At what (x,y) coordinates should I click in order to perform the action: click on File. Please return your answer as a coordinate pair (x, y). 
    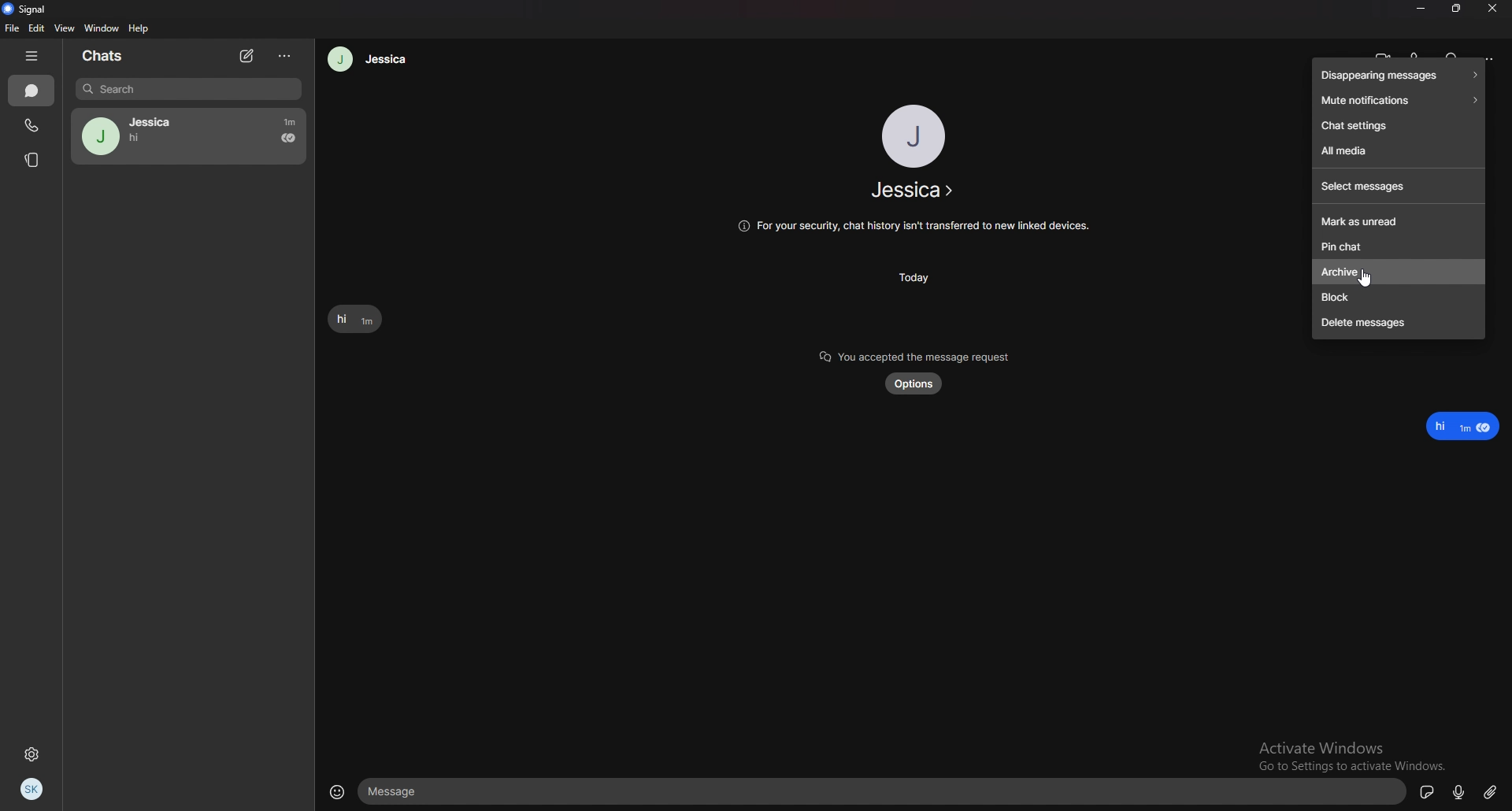
    Looking at the image, I should click on (11, 28).